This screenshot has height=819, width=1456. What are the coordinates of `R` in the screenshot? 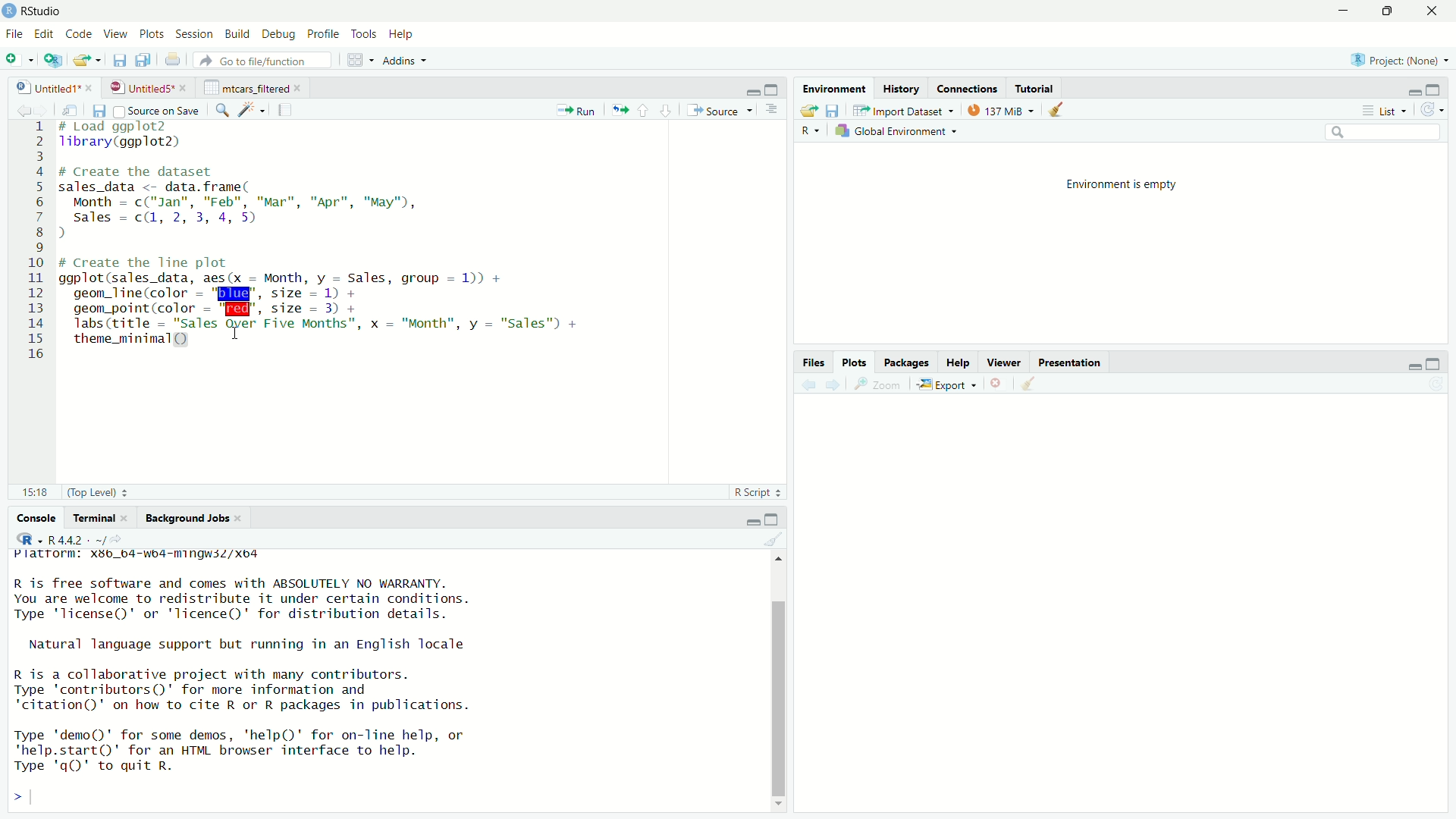 It's located at (811, 132).